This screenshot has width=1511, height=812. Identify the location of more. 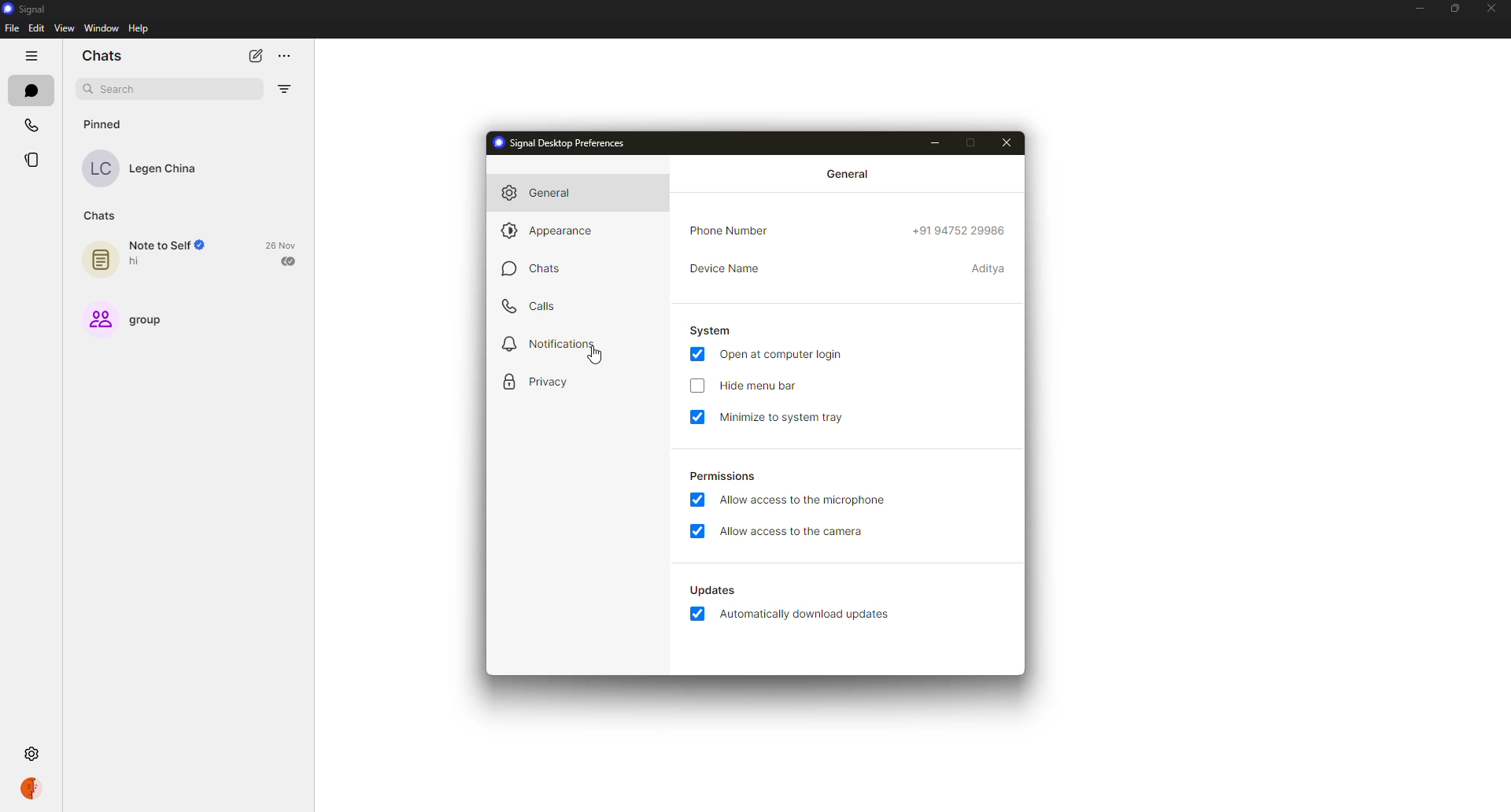
(286, 57).